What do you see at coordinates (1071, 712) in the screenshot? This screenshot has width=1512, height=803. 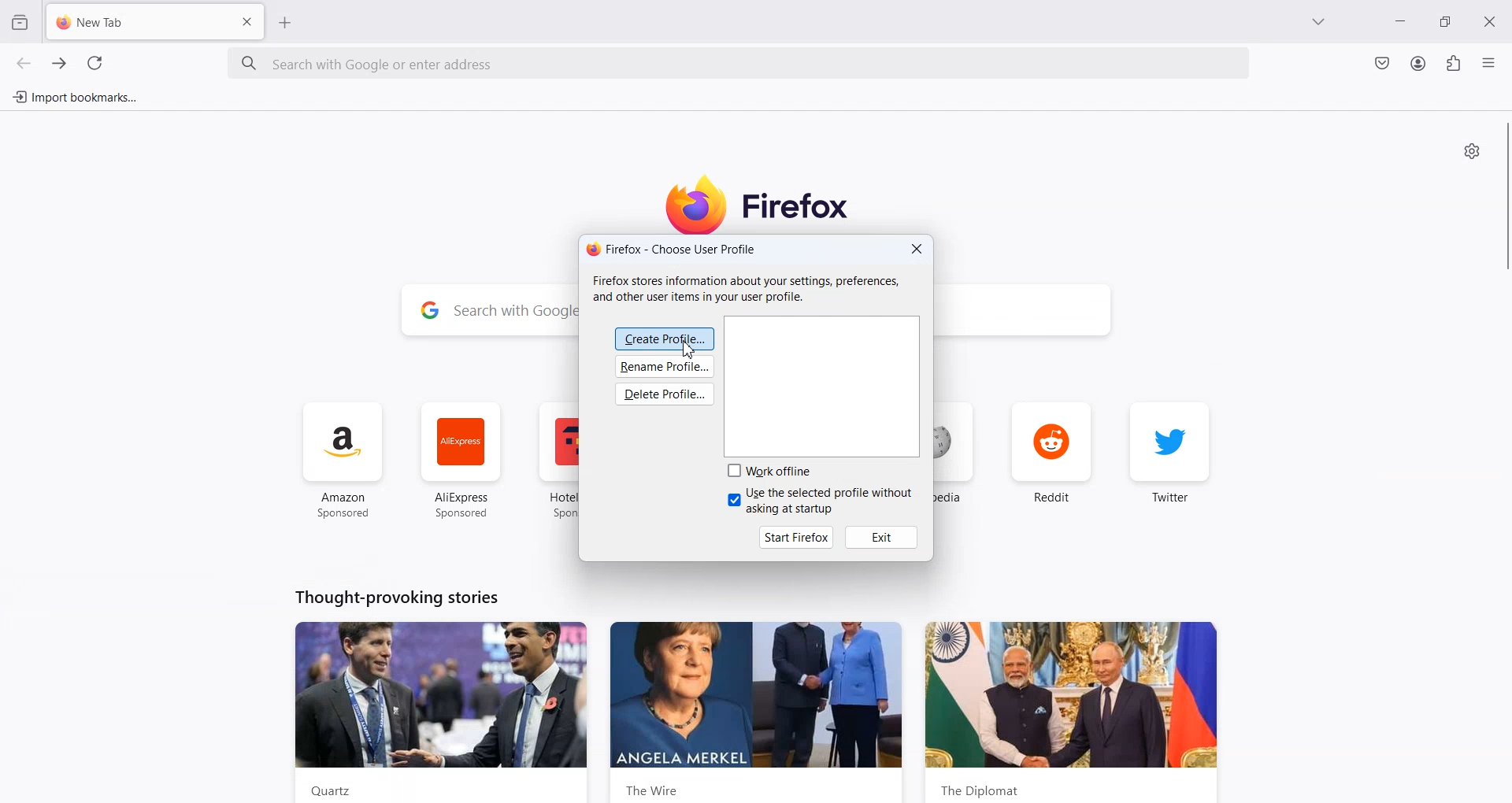 I see `the diplomat` at bounding box center [1071, 712].